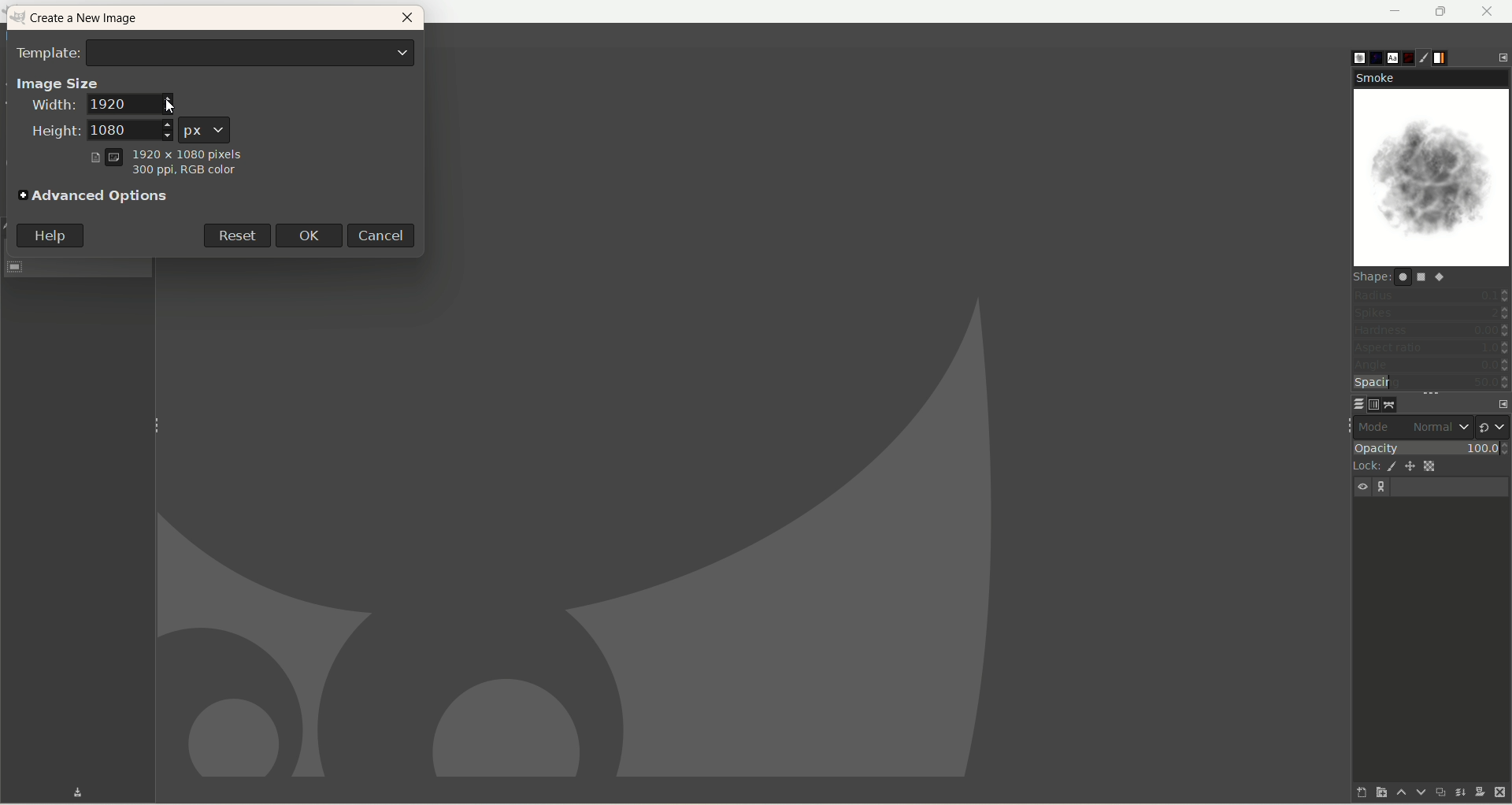 The height and width of the screenshot is (805, 1512). What do you see at coordinates (1410, 54) in the screenshot?
I see `document history` at bounding box center [1410, 54].